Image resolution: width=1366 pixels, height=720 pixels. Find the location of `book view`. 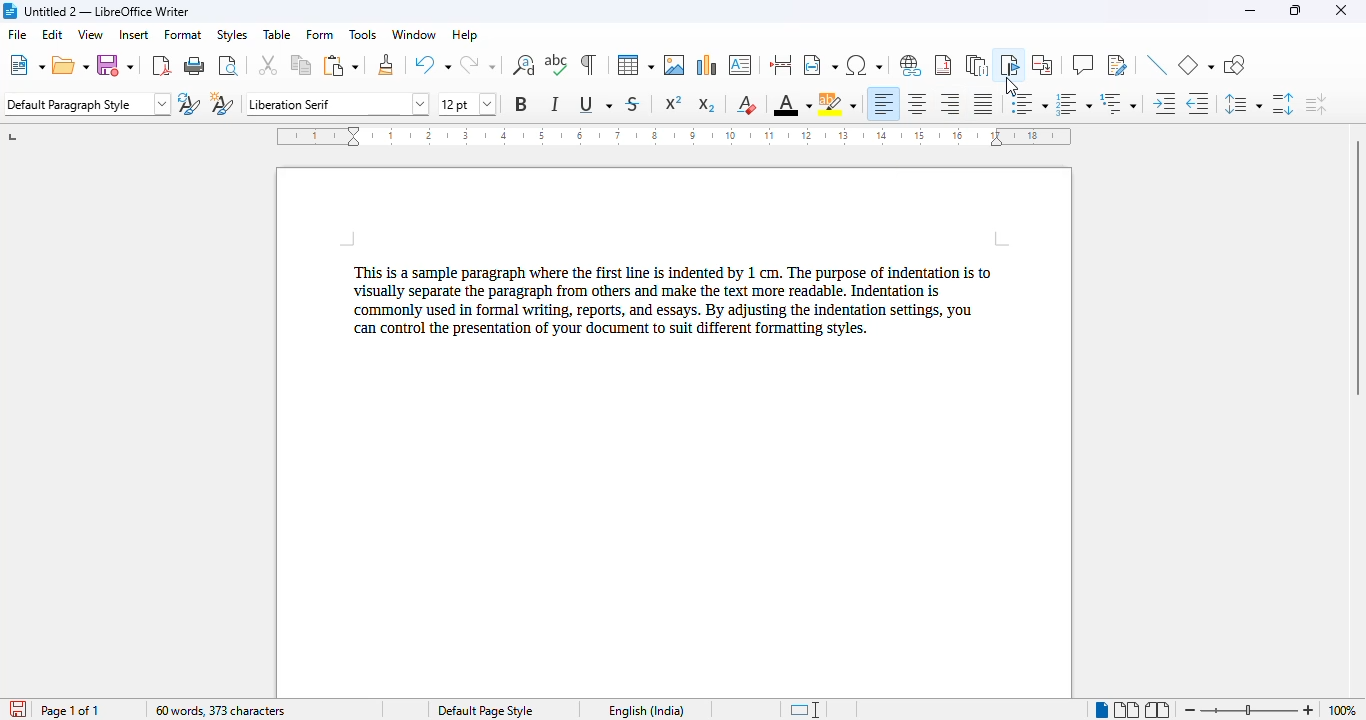

book view is located at coordinates (1156, 710).